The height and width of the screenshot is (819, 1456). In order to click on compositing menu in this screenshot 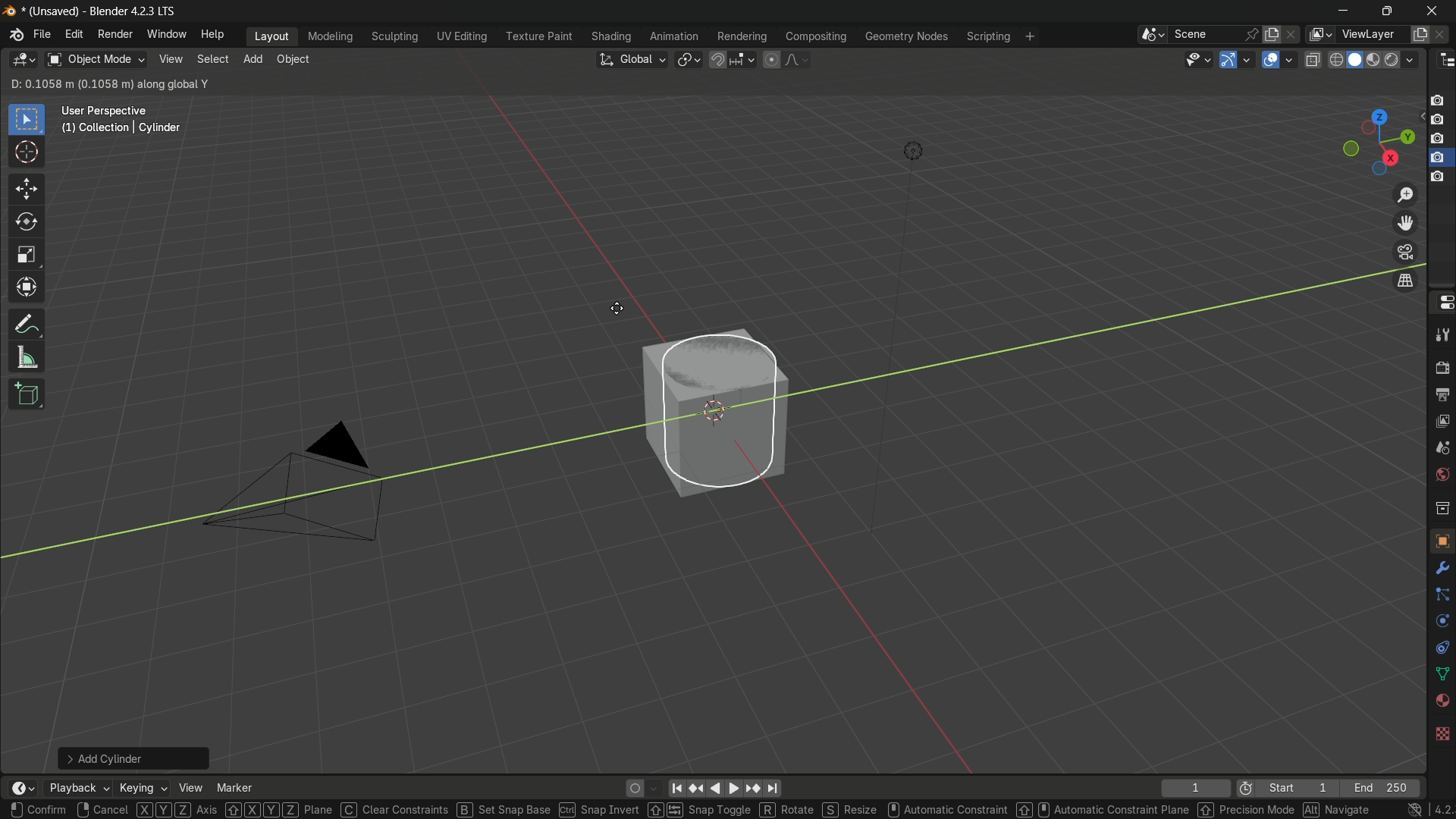, I will do `click(817, 36)`.